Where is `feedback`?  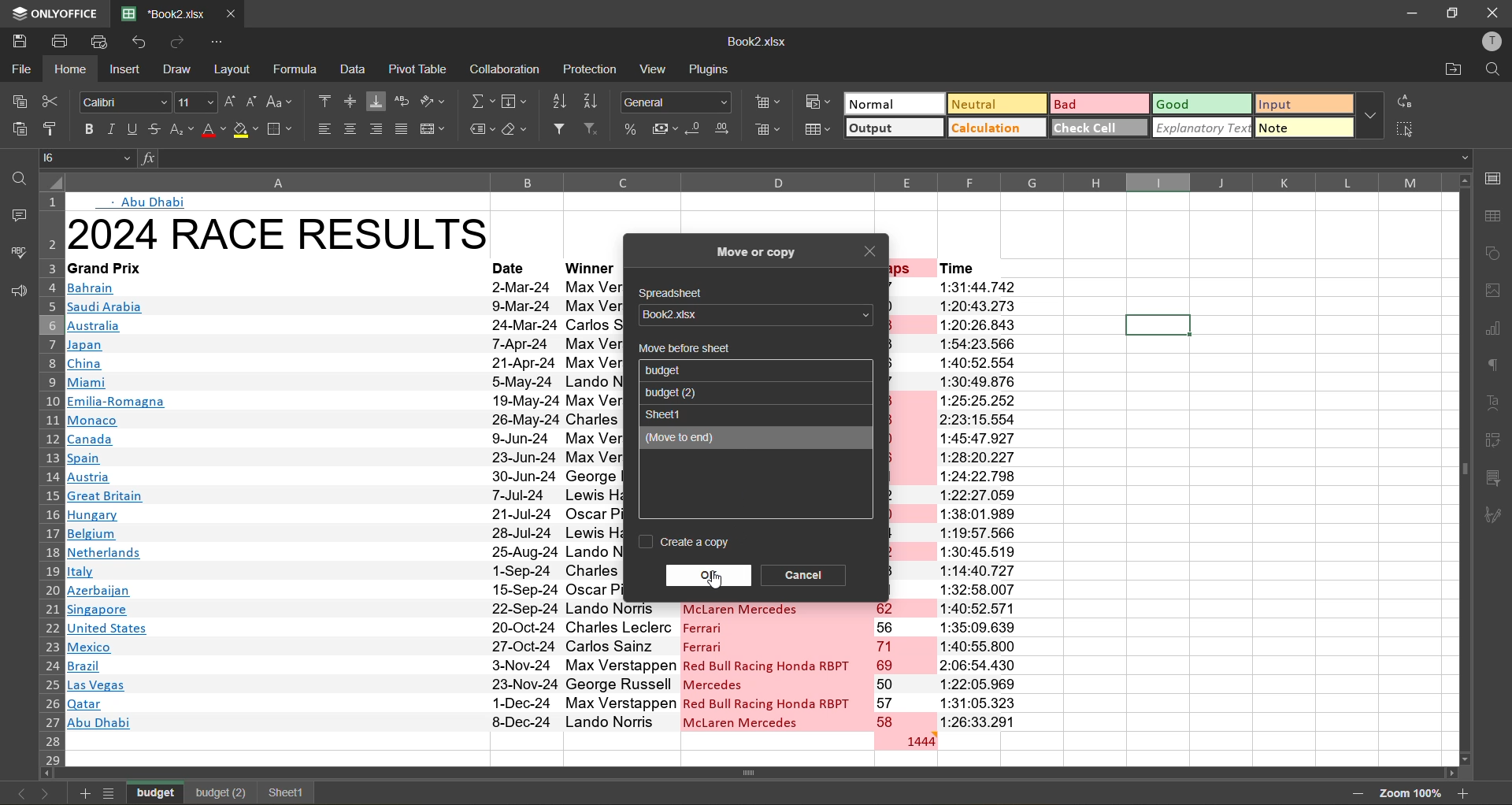
feedback is located at coordinates (16, 292).